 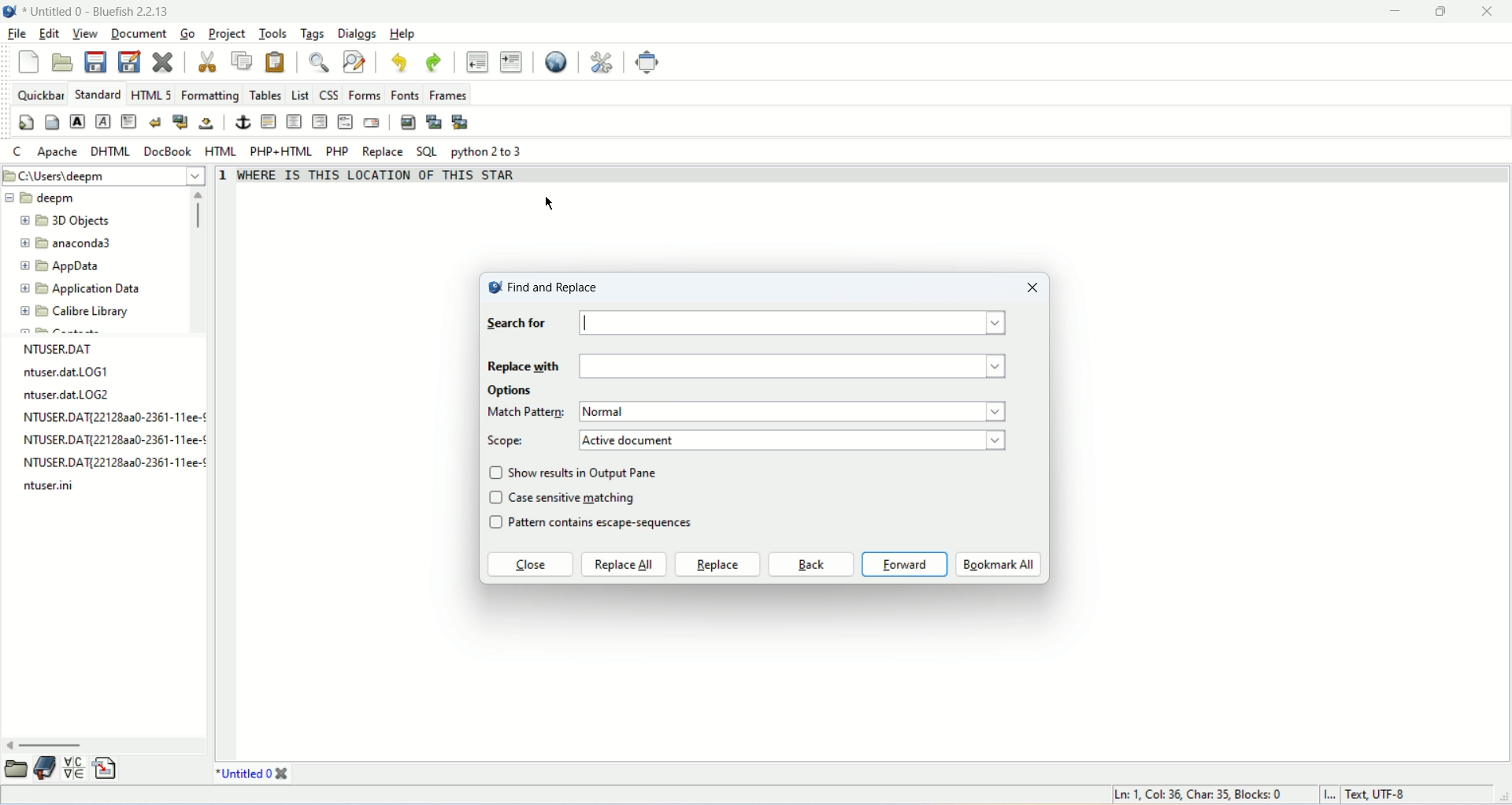 I want to click on find and replace, so click(x=543, y=286).